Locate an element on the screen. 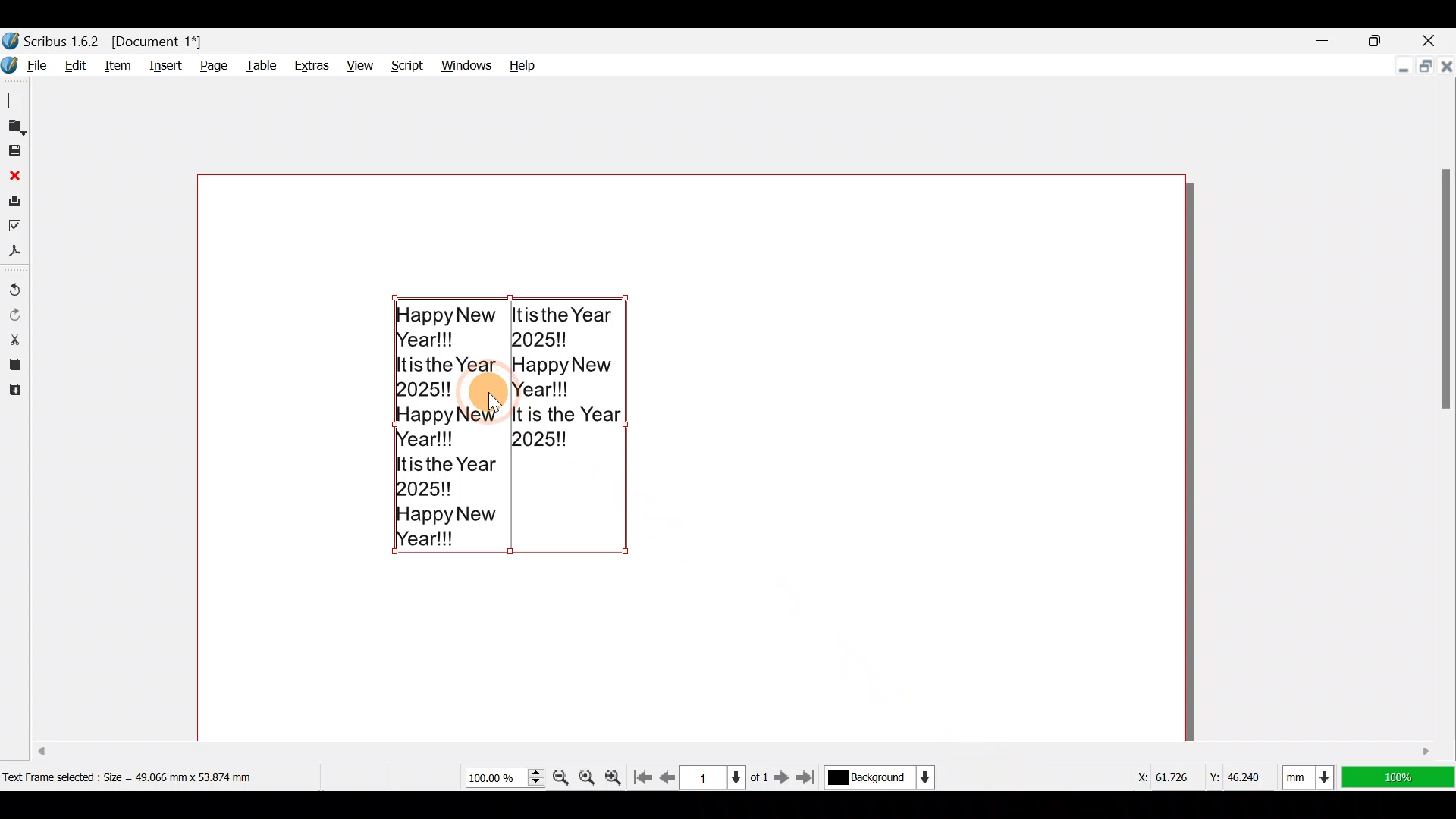 The image size is (1456, 819). Close is located at coordinates (1445, 65).